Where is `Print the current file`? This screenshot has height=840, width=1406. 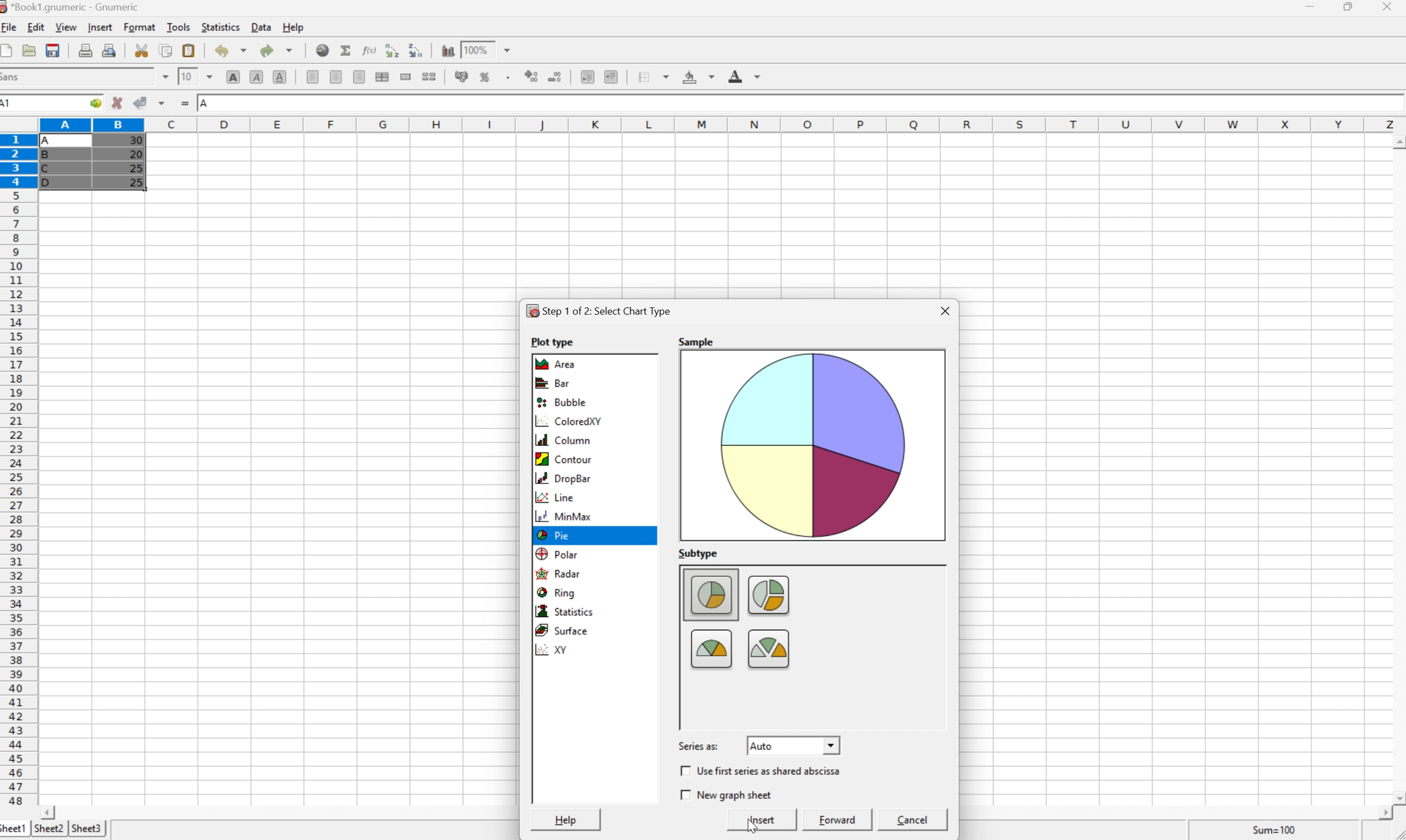
Print the current file is located at coordinates (86, 50).